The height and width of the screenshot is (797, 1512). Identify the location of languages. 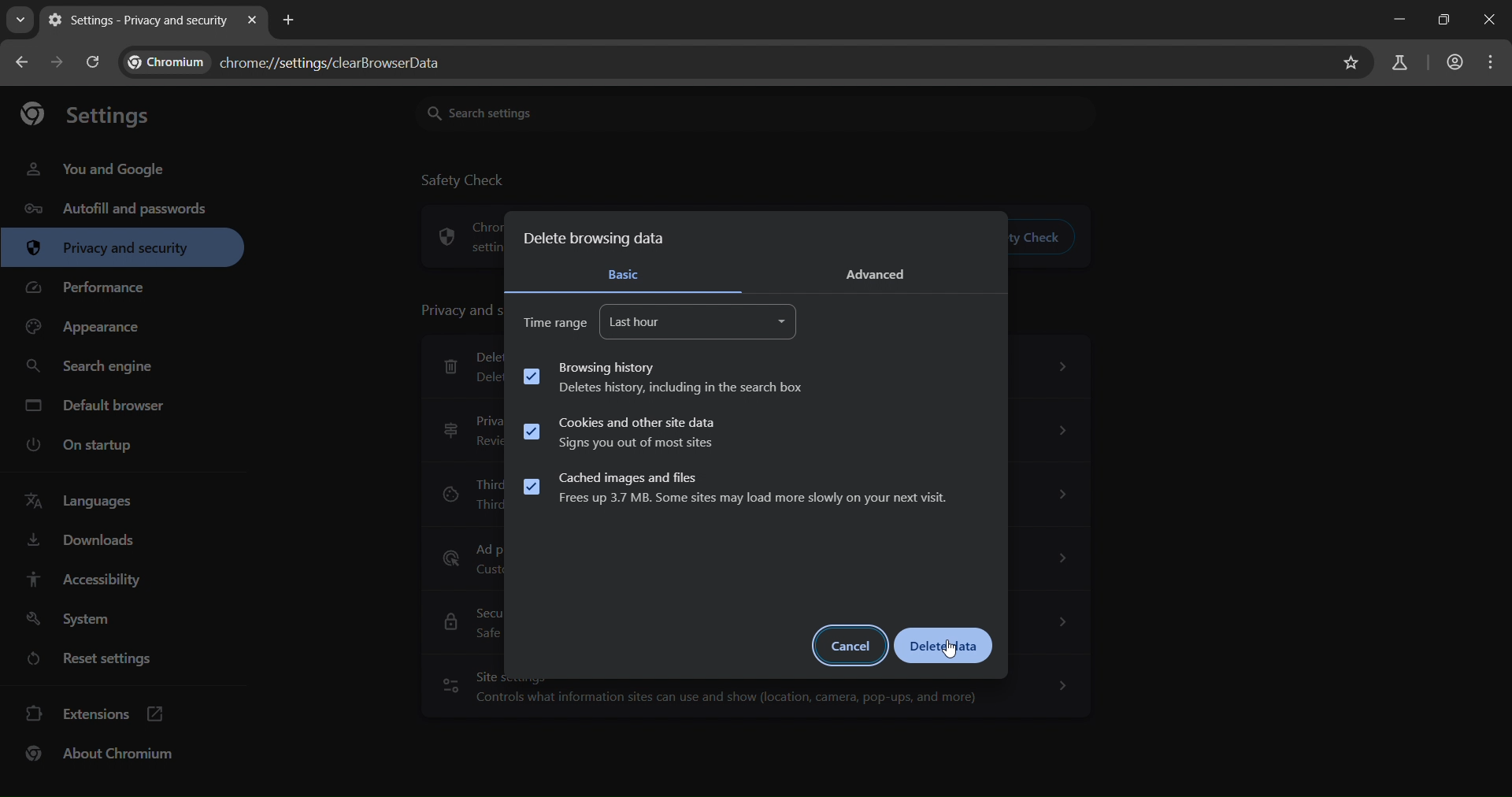
(91, 502).